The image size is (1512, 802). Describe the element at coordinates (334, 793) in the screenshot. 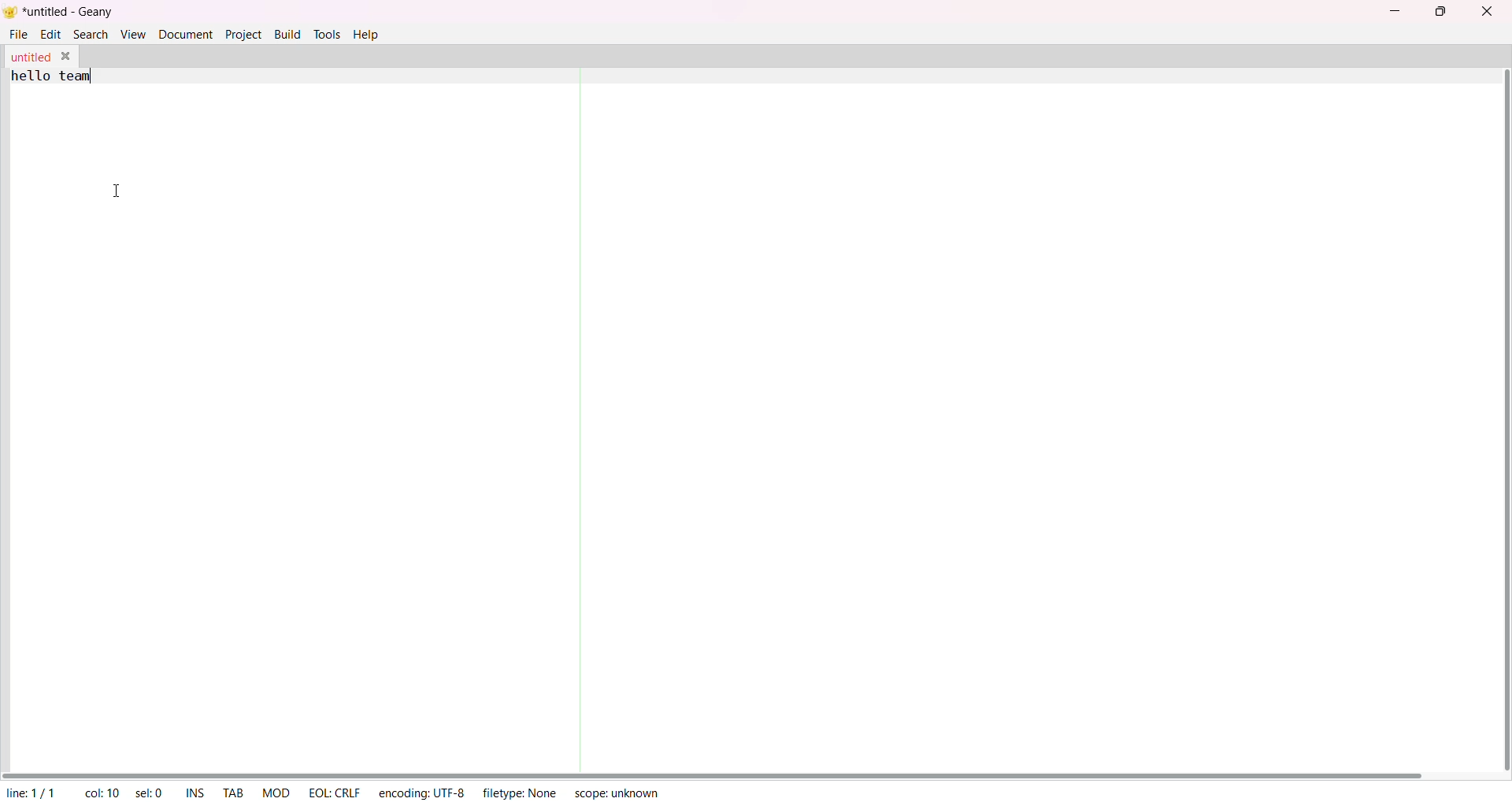

I see `EOL: CRLF` at that location.